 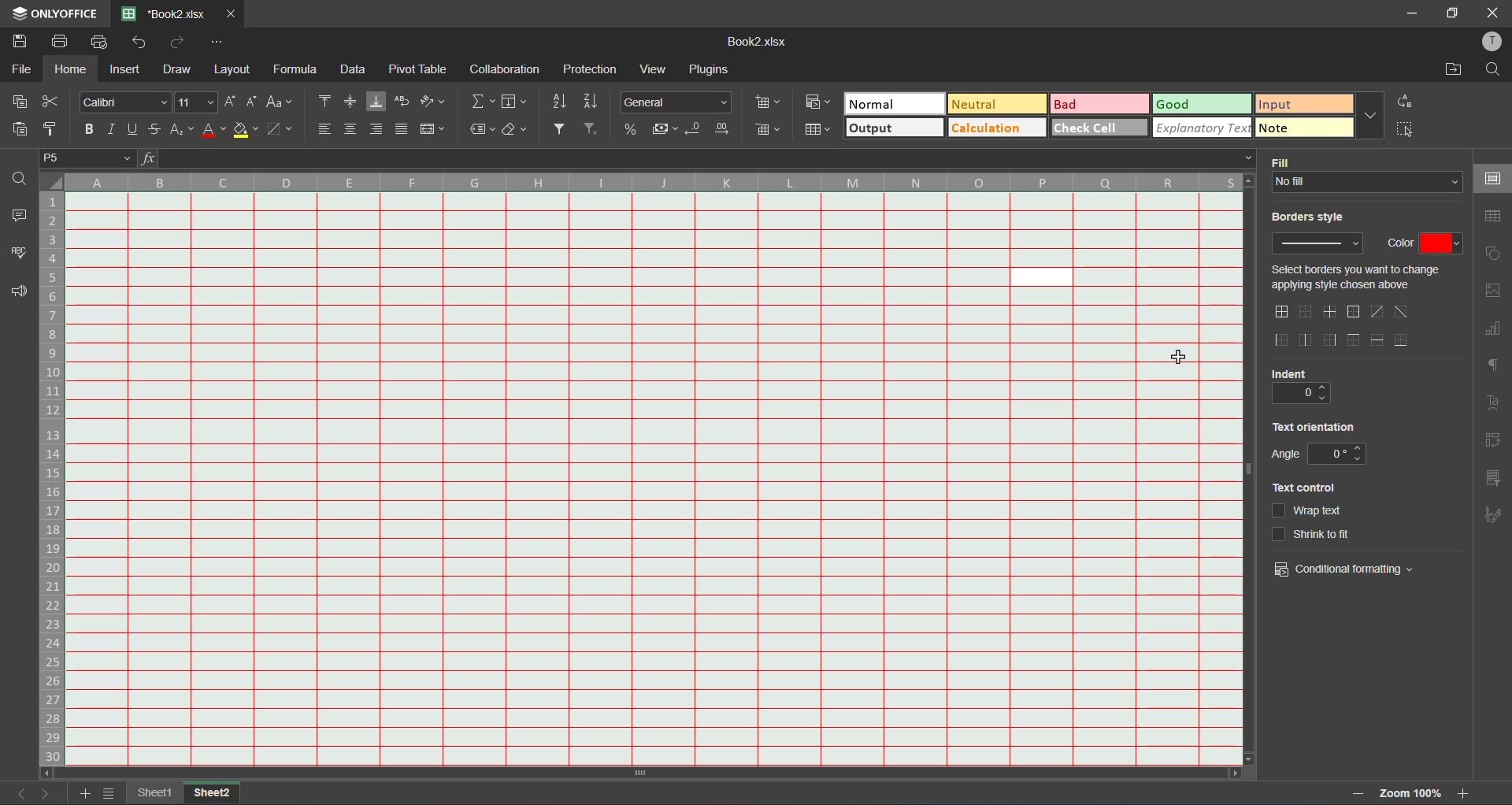 What do you see at coordinates (1495, 330) in the screenshot?
I see `charts` at bounding box center [1495, 330].